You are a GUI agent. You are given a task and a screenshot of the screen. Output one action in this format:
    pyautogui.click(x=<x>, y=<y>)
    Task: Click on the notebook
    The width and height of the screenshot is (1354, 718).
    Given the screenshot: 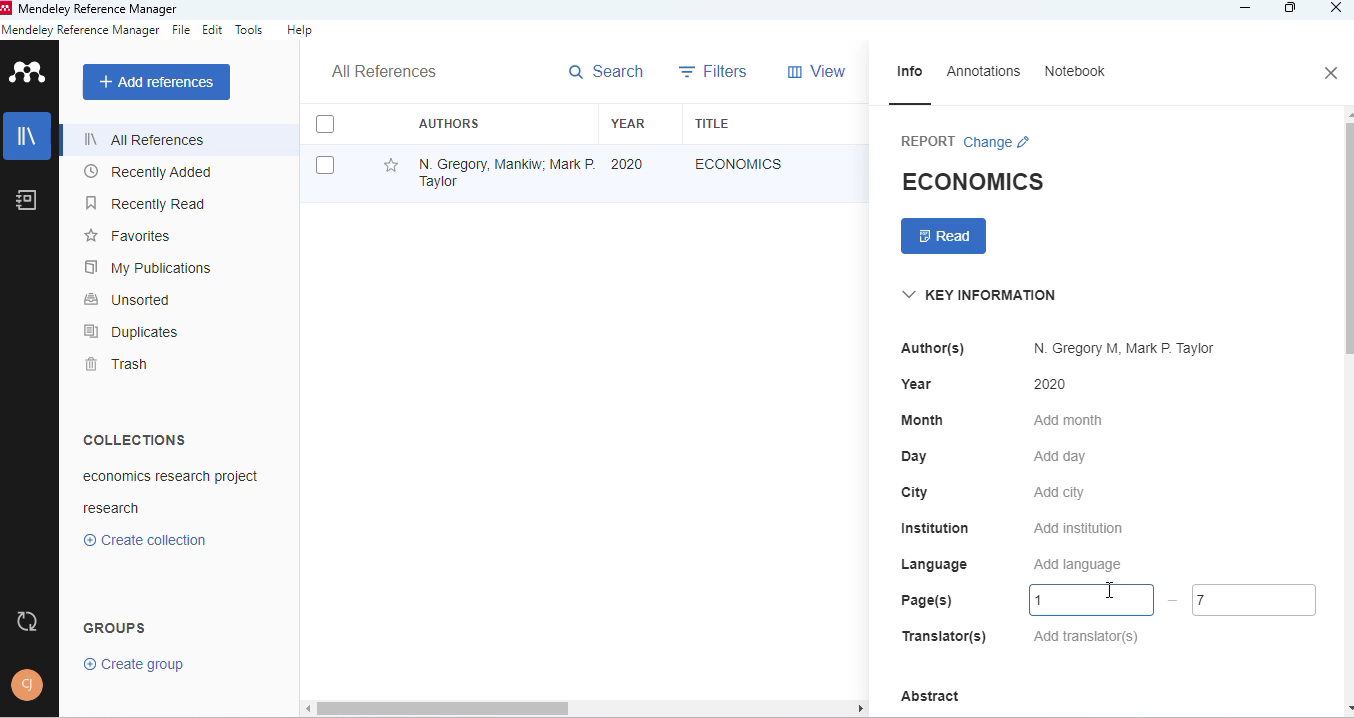 What is the action you would take?
    pyautogui.click(x=25, y=200)
    